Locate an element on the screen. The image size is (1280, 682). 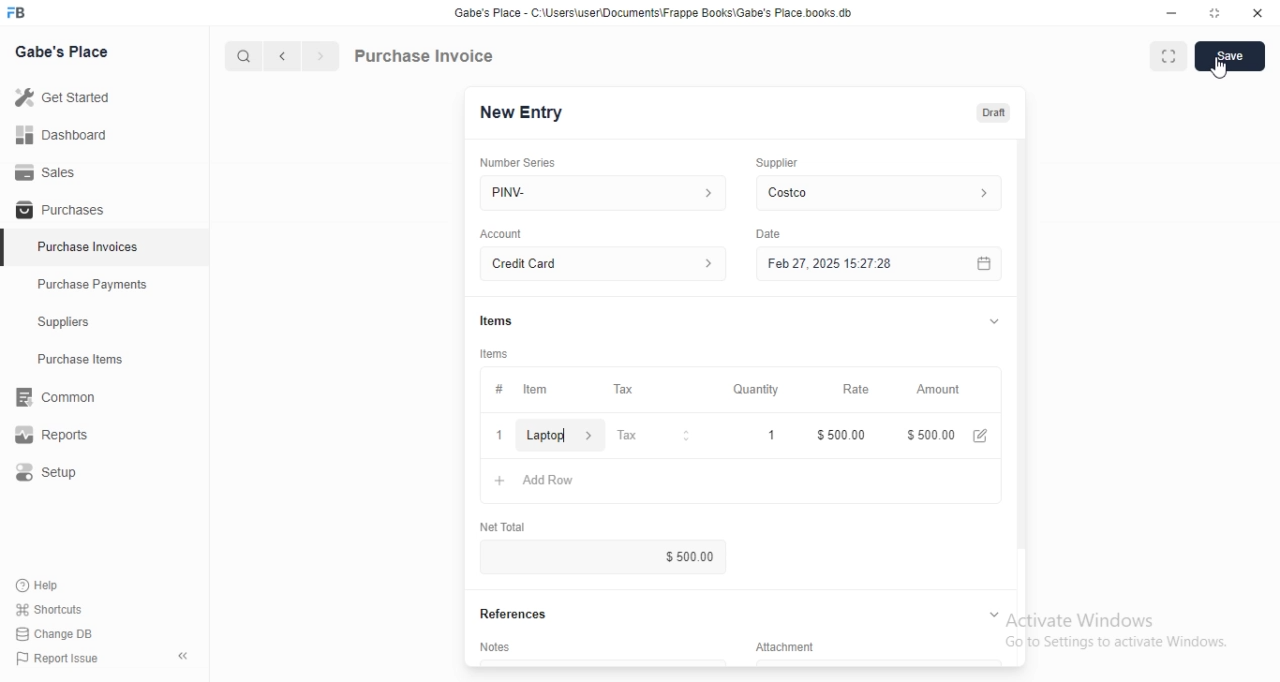
New Entry is located at coordinates (522, 113).